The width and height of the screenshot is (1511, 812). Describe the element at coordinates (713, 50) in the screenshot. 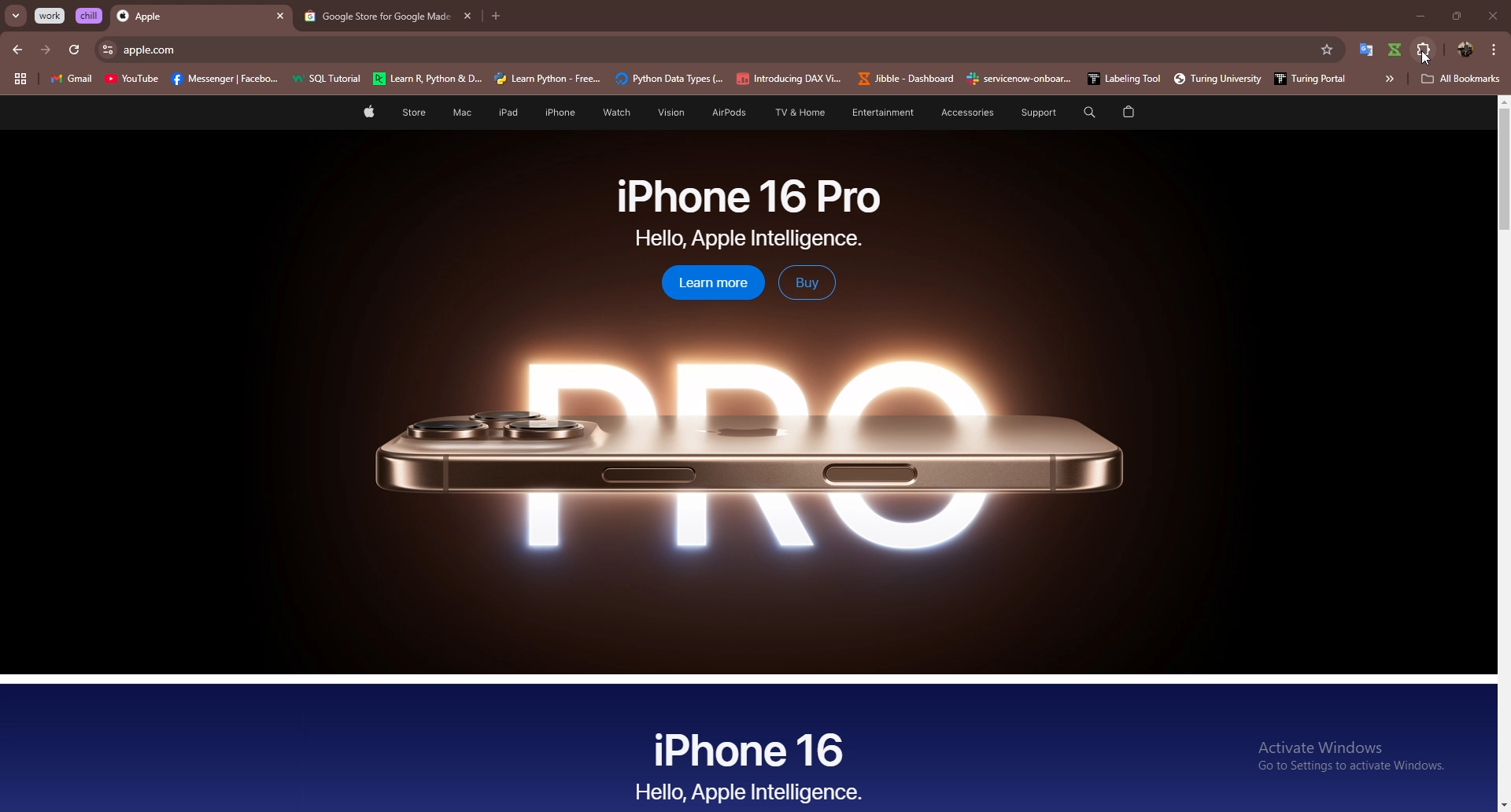

I see `apple.com` at that location.